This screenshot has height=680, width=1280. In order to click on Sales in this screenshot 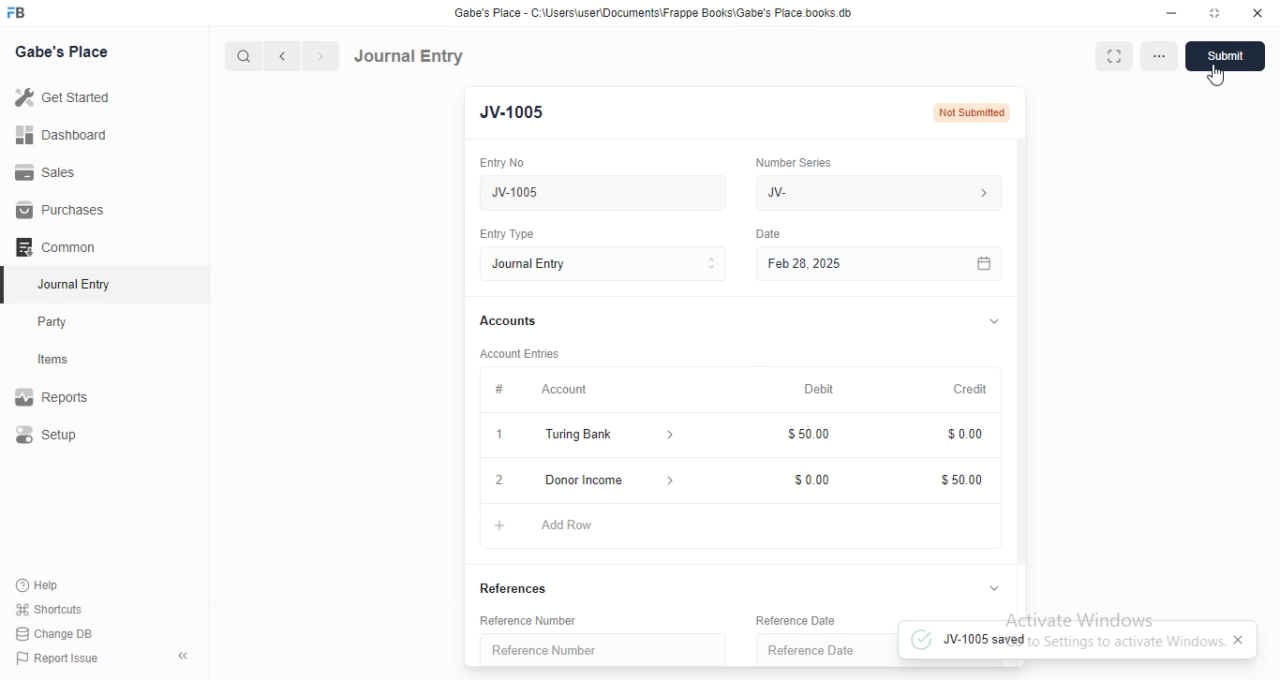, I will do `click(64, 171)`.